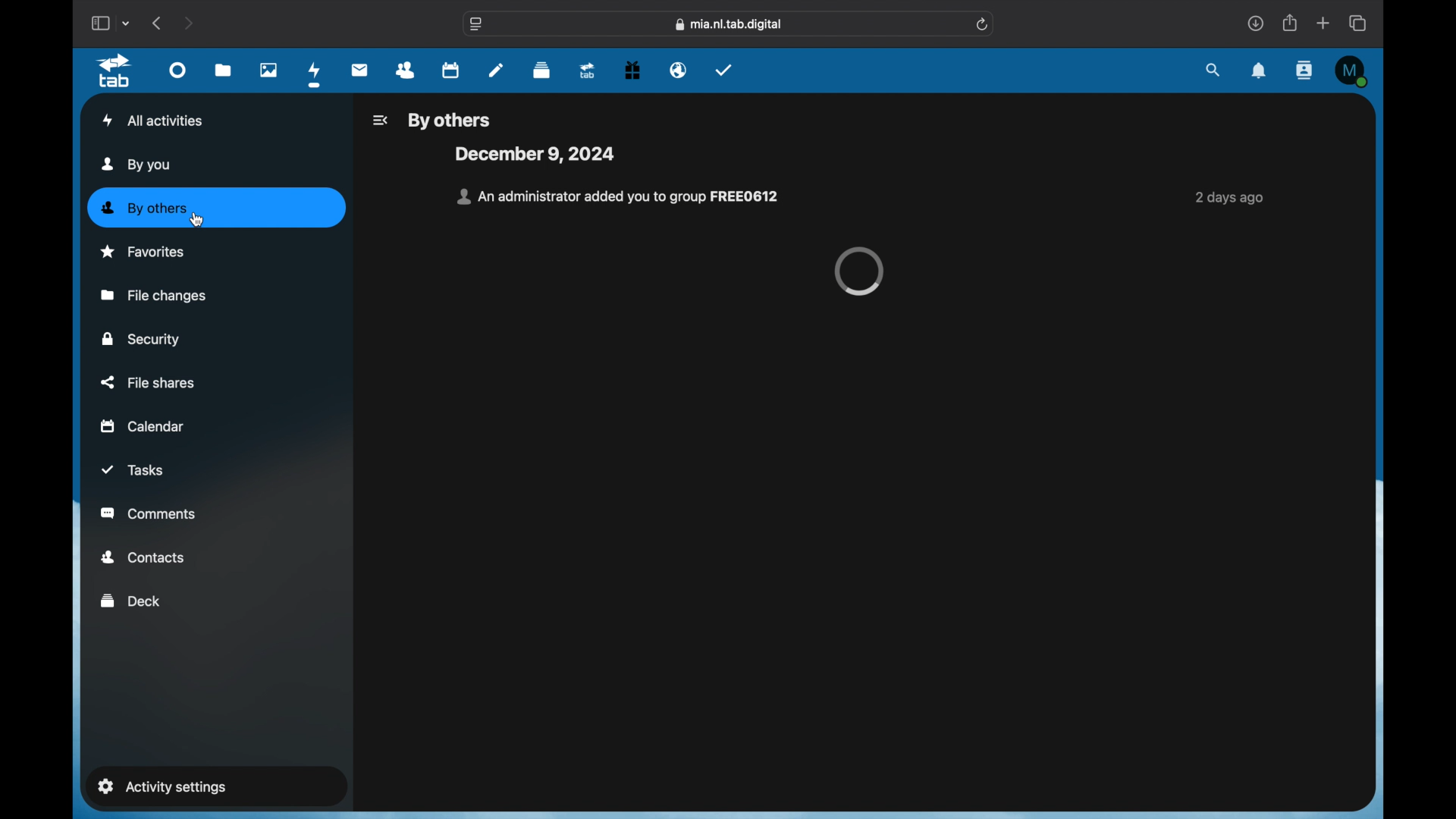 Image resolution: width=1456 pixels, height=819 pixels. What do you see at coordinates (588, 71) in the screenshot?
I see `tab` at bounding box center [588, 71].